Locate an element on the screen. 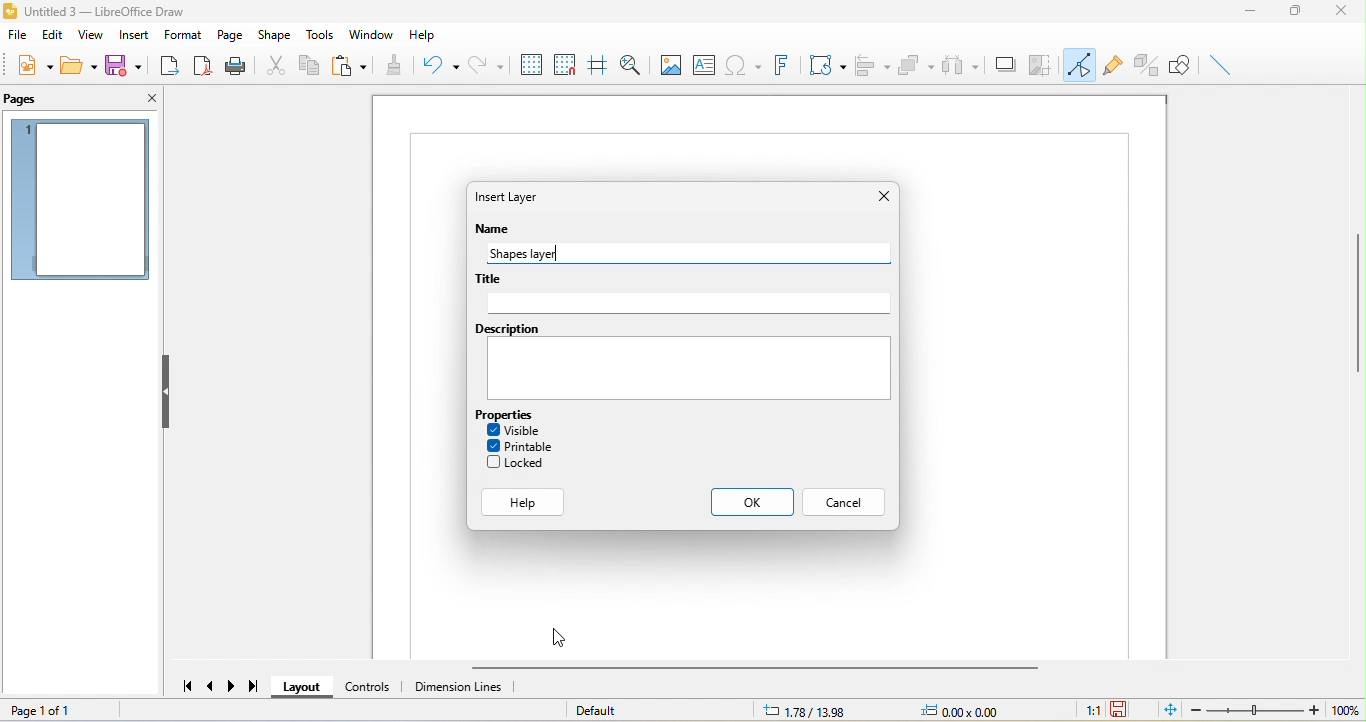 This screenshot has height=722, width=1366. maximize is located at coordinates (1298, 11).